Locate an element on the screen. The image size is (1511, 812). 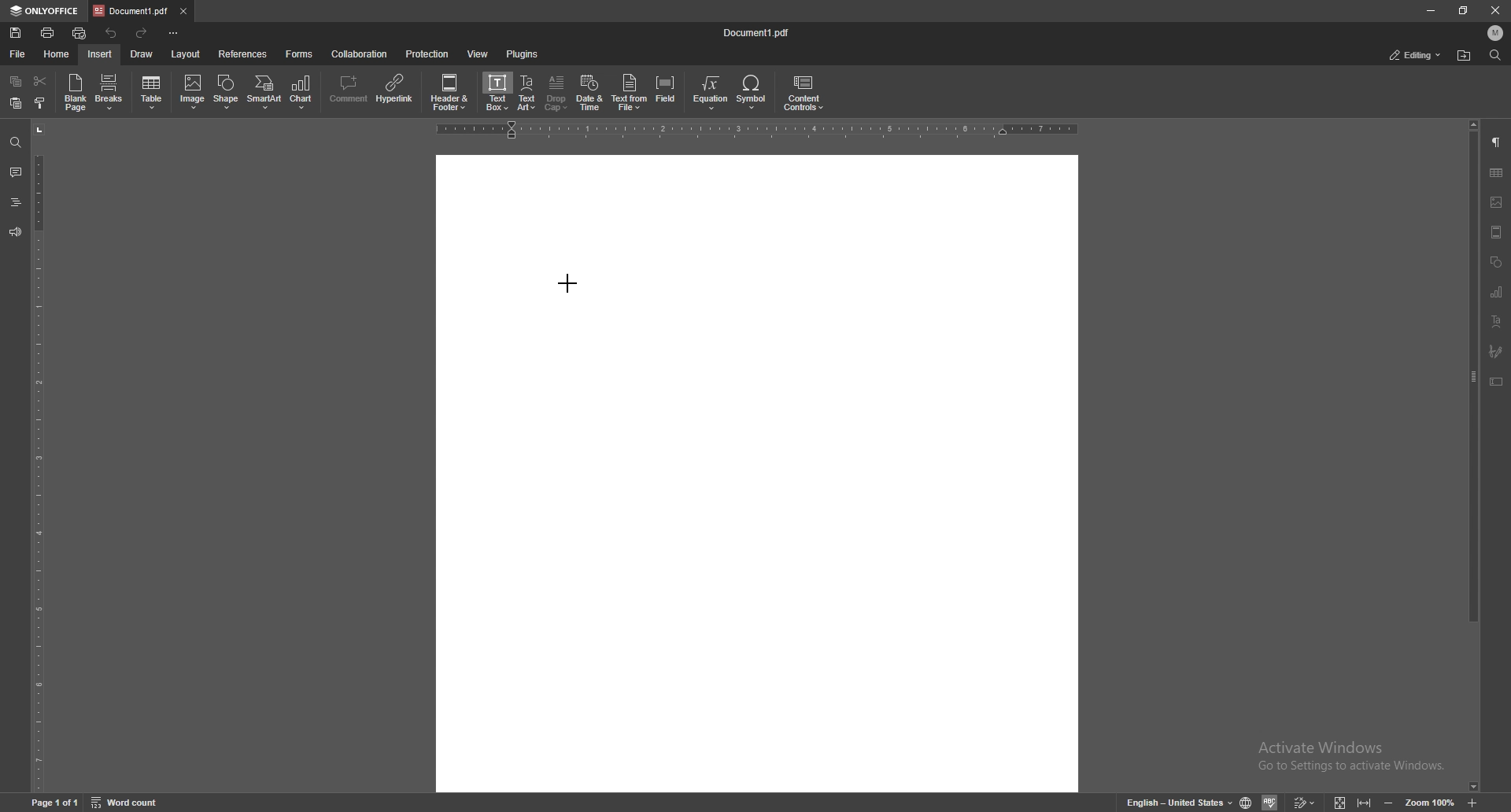
content controls is located at coordinates (803, 94).